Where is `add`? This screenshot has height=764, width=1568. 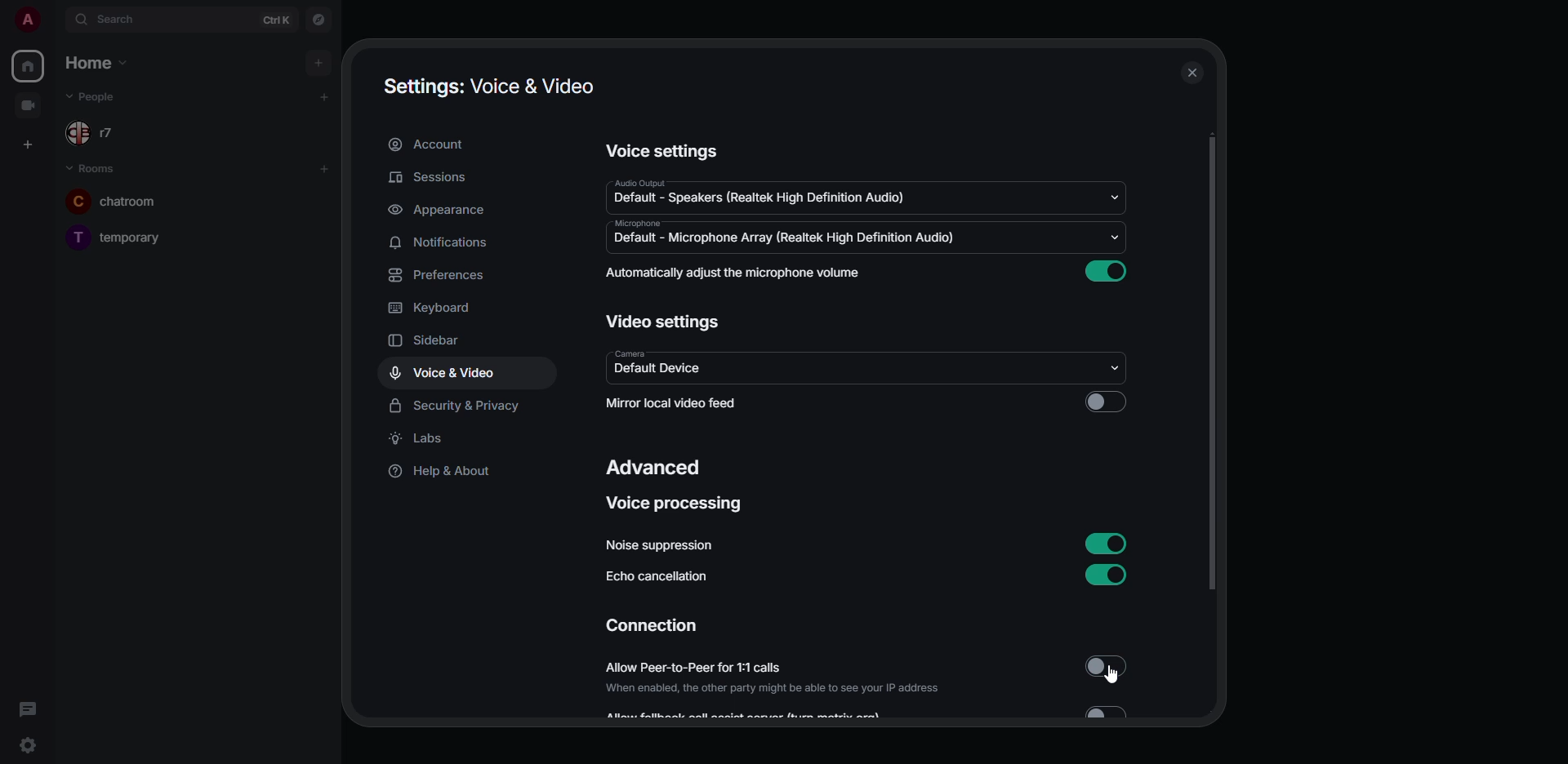
add is located at coordinates (323, 168).